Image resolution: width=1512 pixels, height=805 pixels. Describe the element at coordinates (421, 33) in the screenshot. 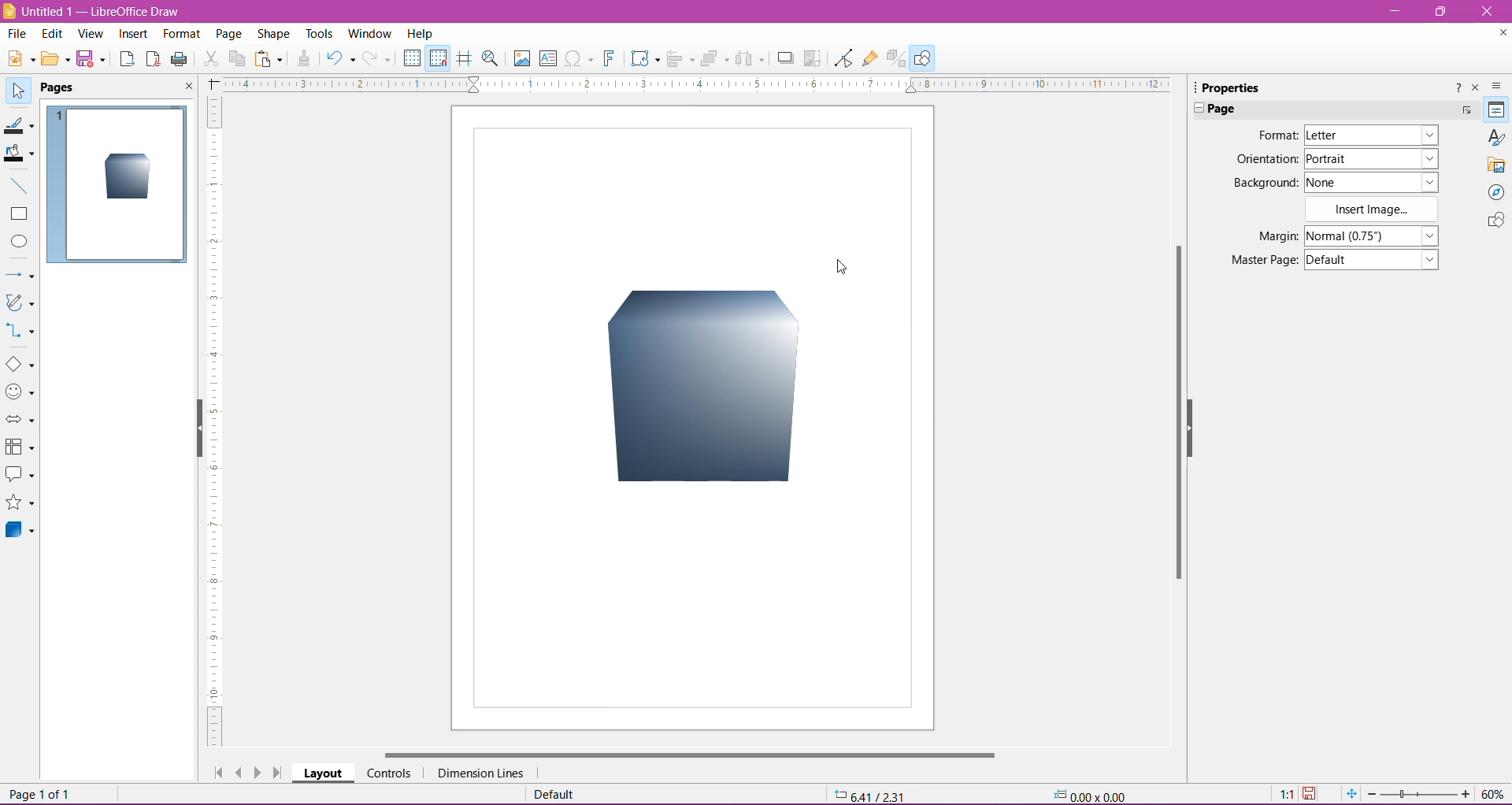

I see `Help` at that location.